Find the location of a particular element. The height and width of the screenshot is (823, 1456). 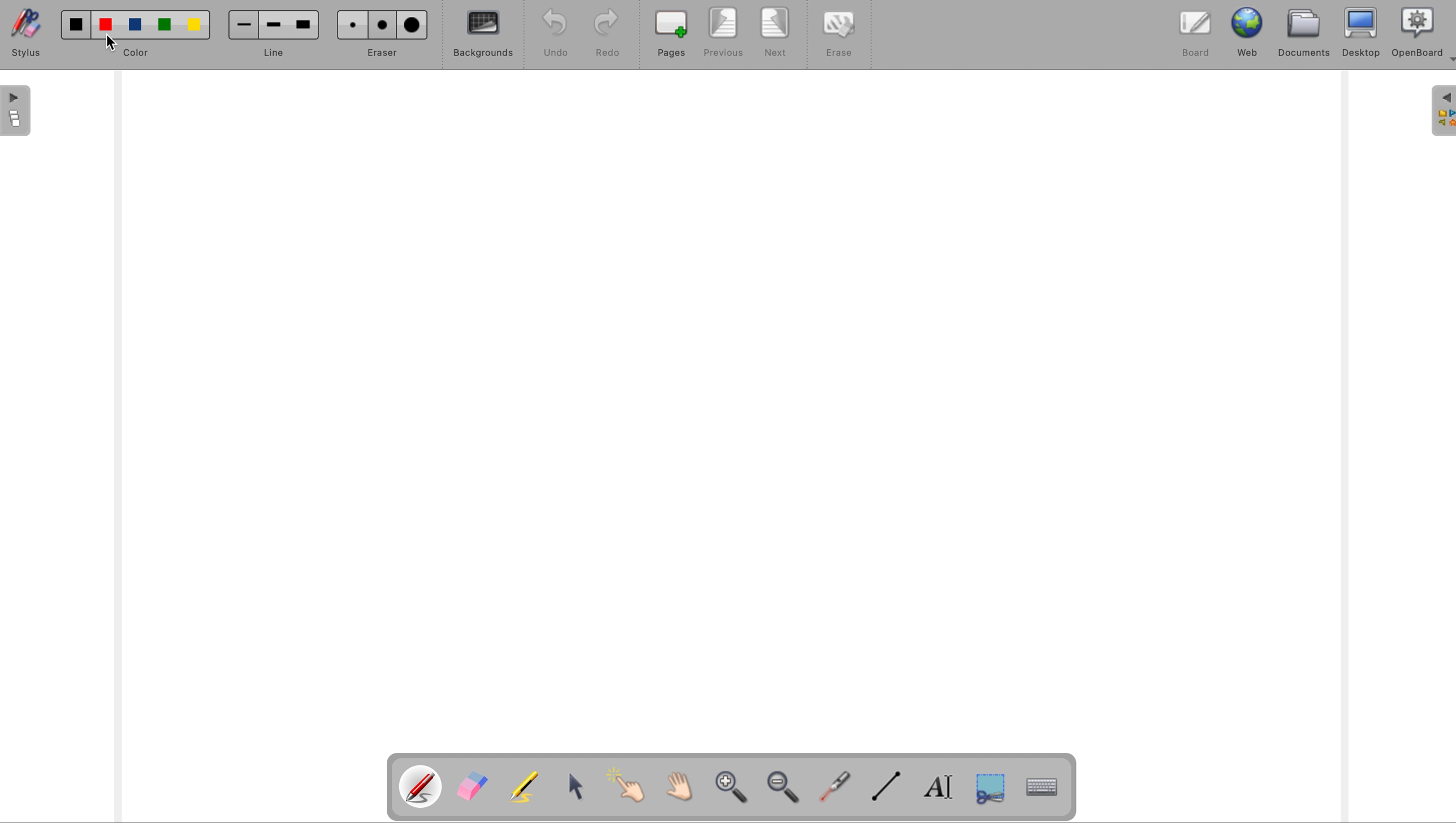

pages is located at coordinates (673, 34).